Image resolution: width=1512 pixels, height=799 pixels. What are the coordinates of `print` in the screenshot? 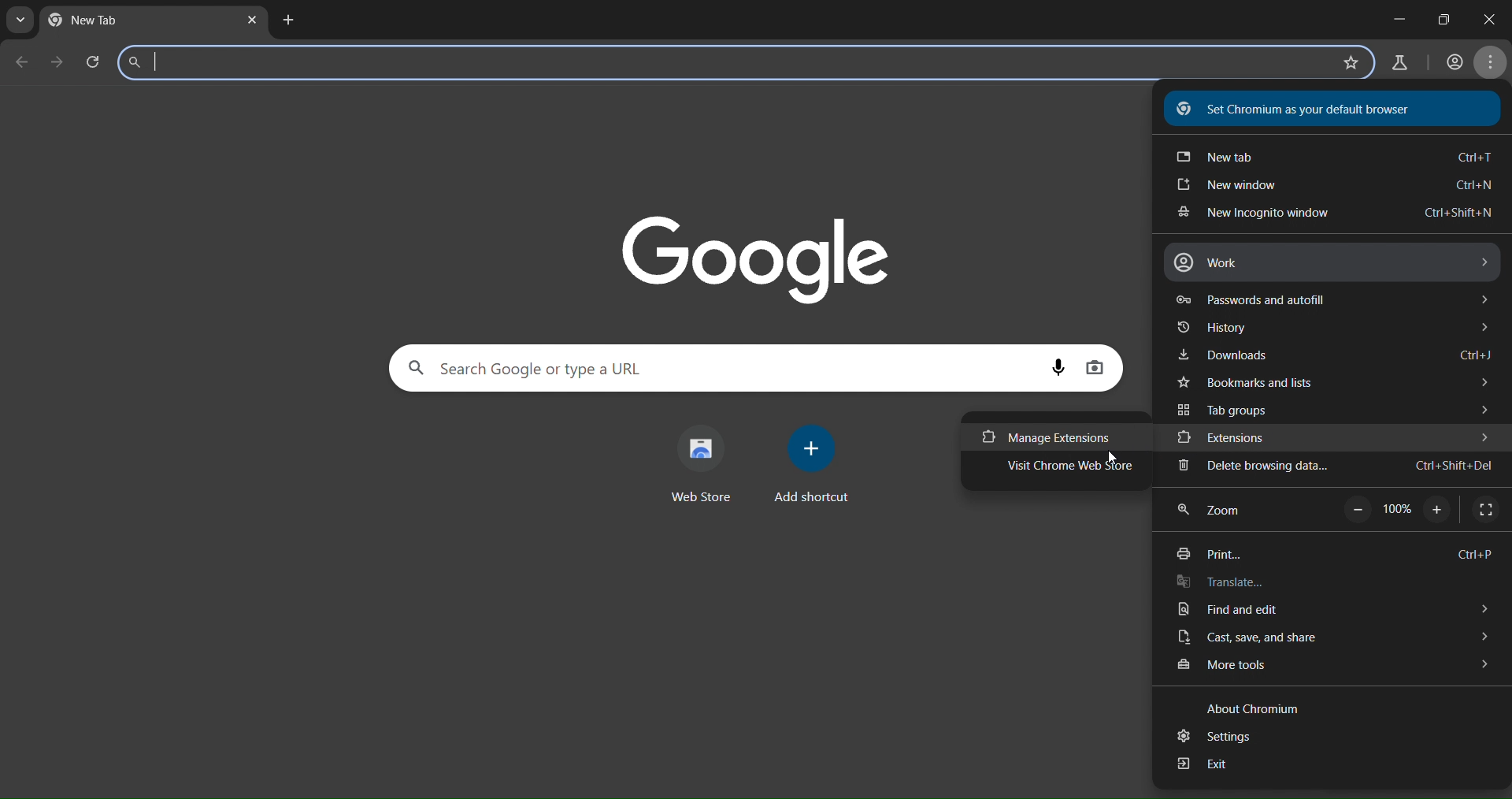 It's located at (1331, 553).